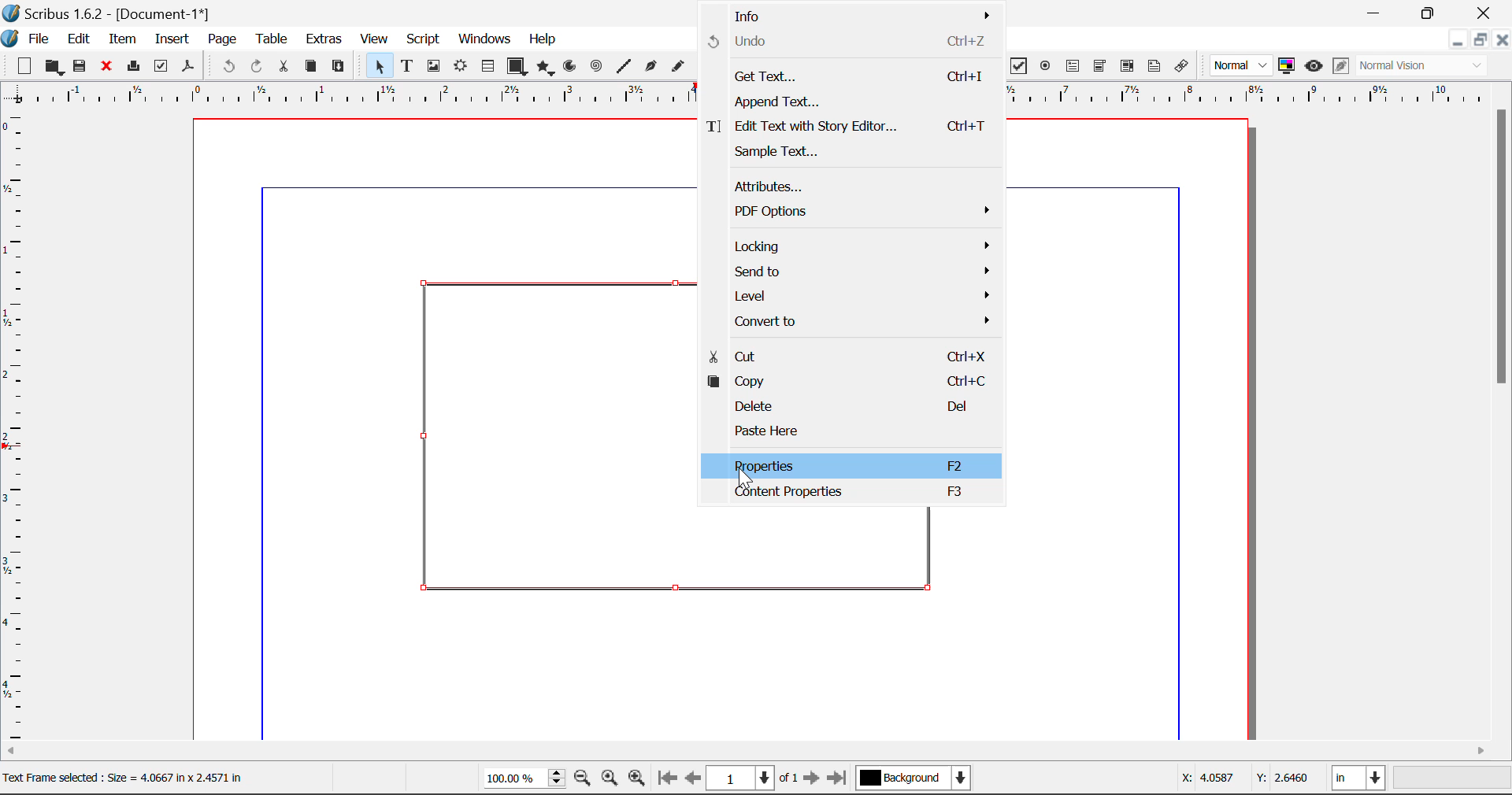 The width and height of the screenshot is (1512, 795). Describe the element at coordinates (814, 781) in the screenshot. I see `Next Page` at that location.